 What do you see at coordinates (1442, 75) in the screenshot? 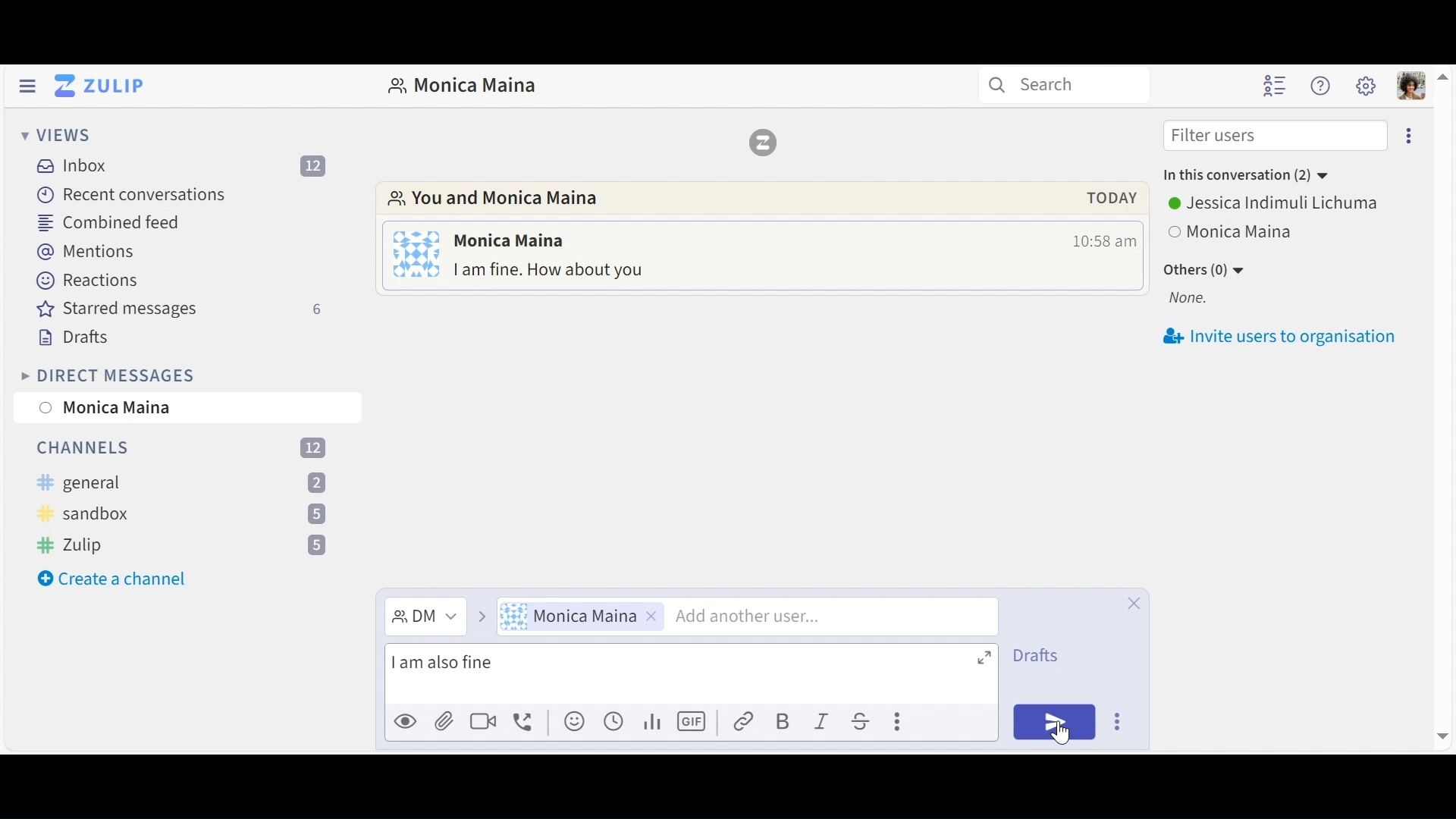
I see `move up` at bounding box center [1442, 75].